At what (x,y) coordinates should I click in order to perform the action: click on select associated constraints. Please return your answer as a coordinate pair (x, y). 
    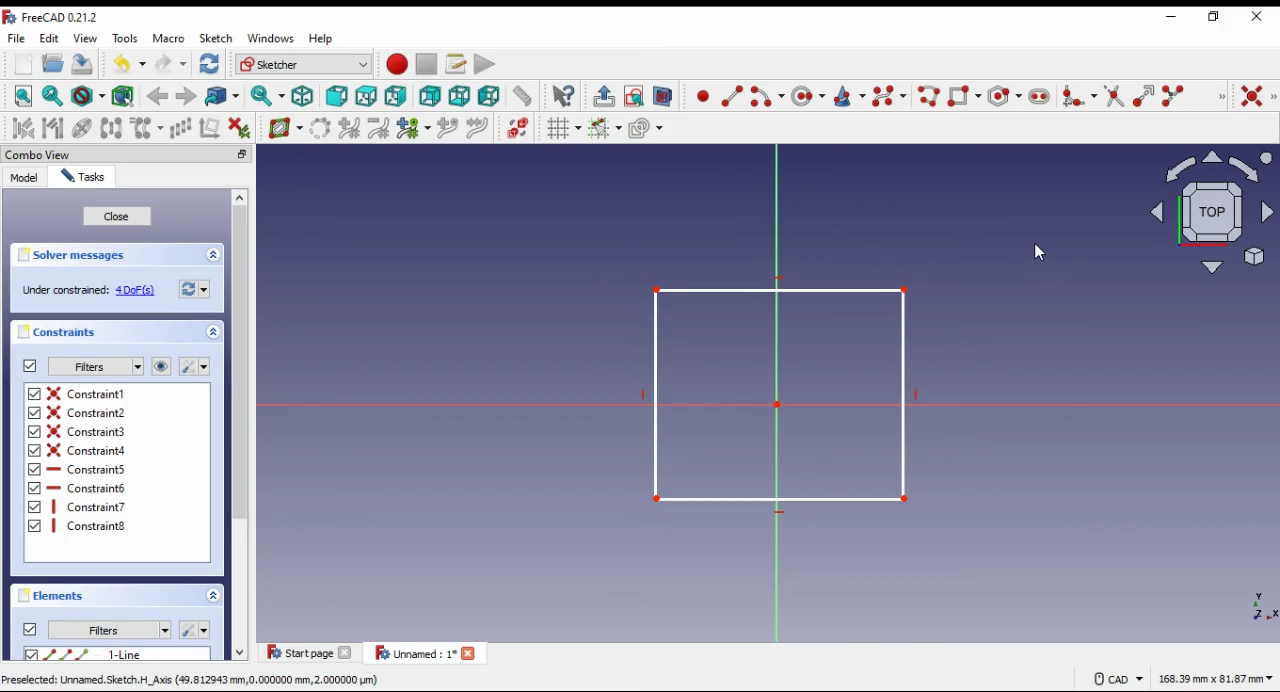
    Looking at the image, I should click on (24, 128).